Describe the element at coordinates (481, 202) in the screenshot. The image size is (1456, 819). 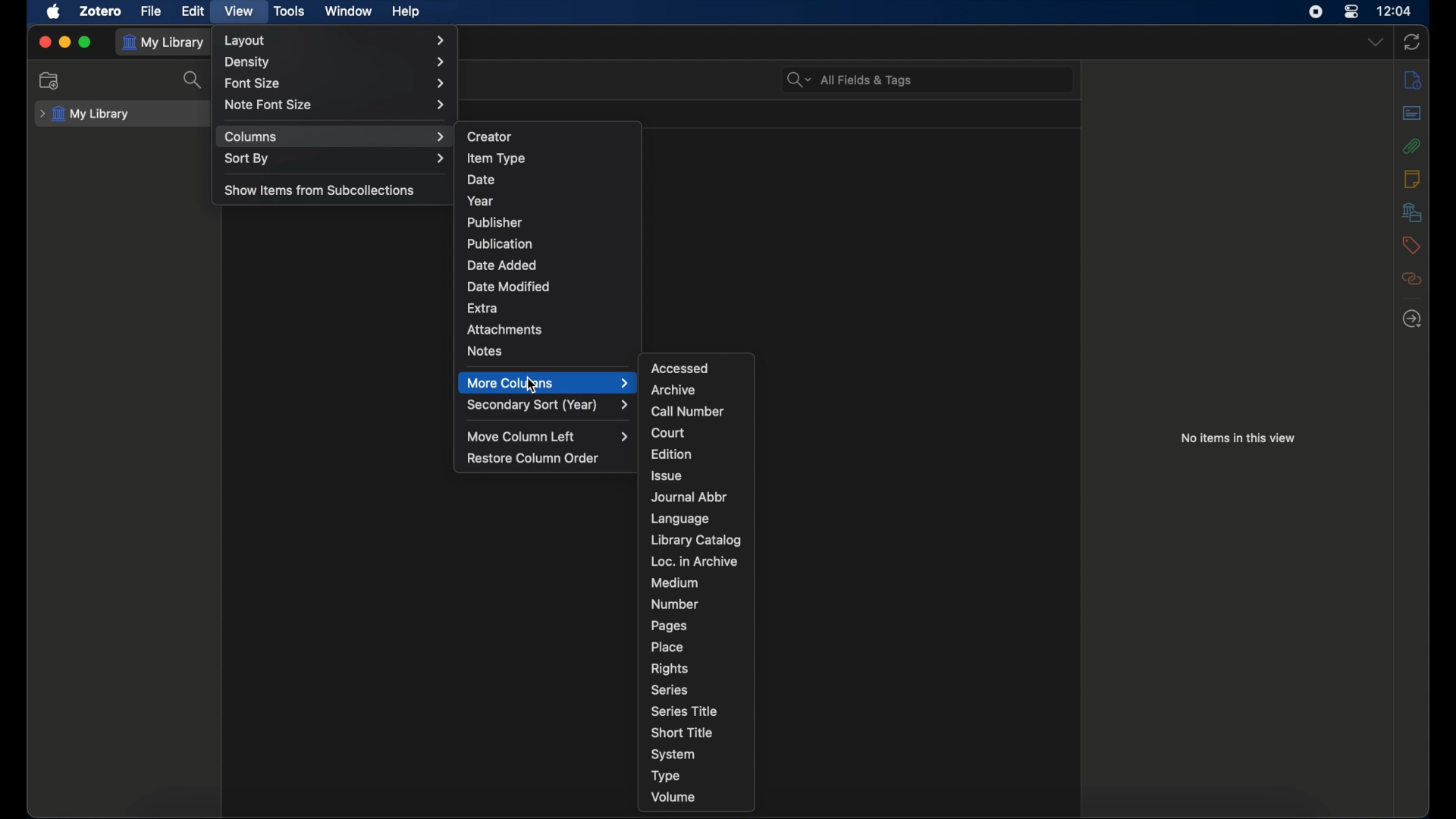
I see `year` at that location.